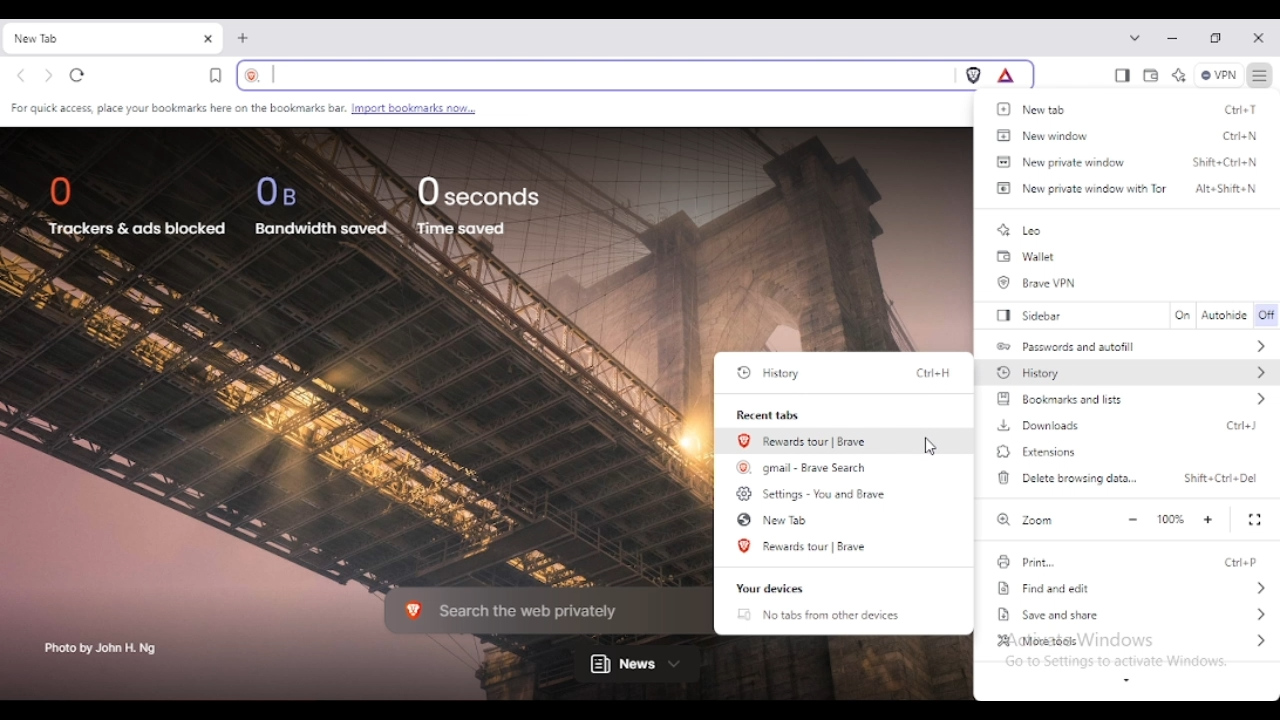  Describe the element at coordinates (930, 447) in the screenshot. I see `cursor` at that location.